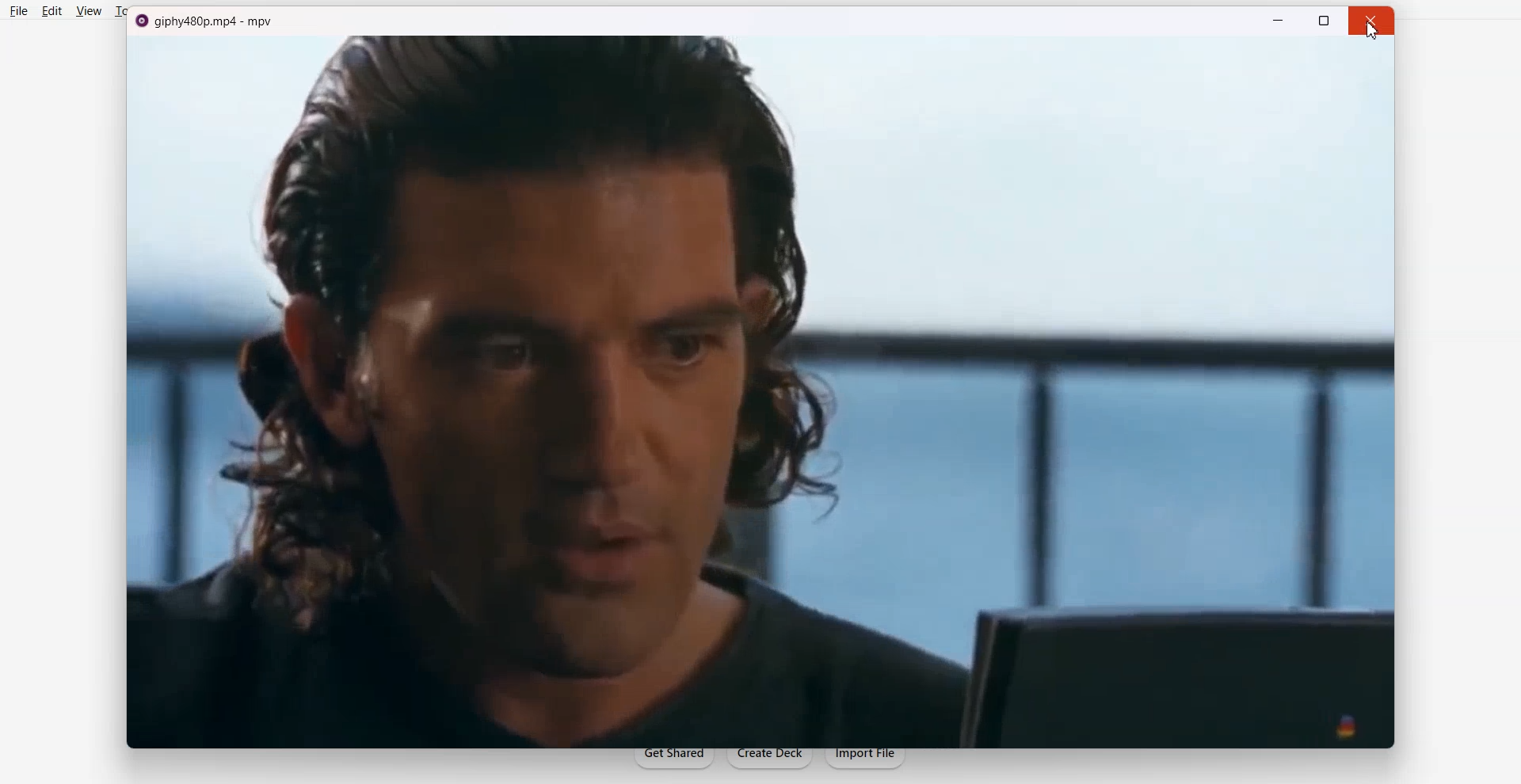  Describe the element at coordinates (1374, 21) in the screenshot. I see `Close` at that location.